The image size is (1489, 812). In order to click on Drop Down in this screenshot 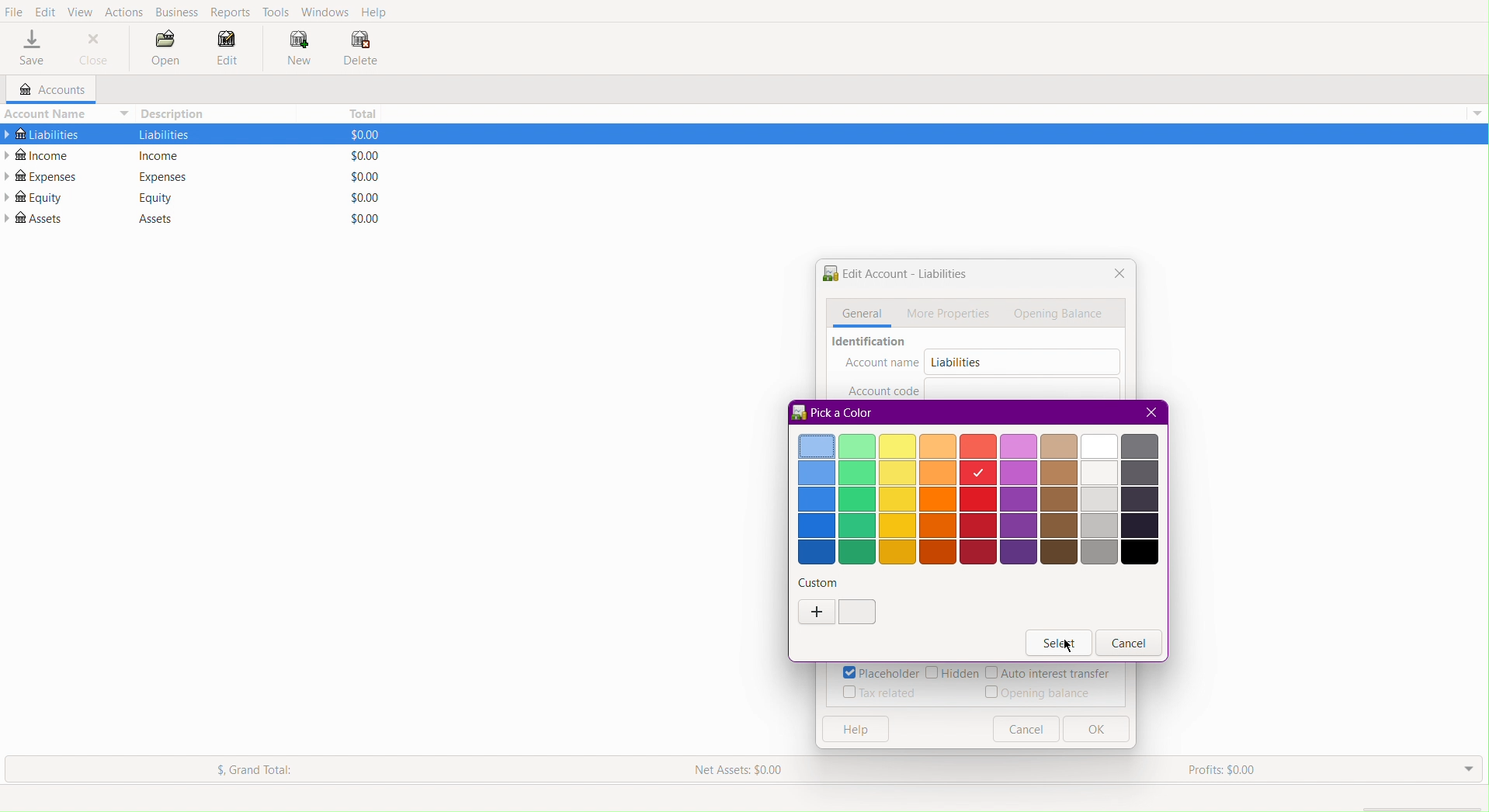, I will do `click(1466, 769)`.